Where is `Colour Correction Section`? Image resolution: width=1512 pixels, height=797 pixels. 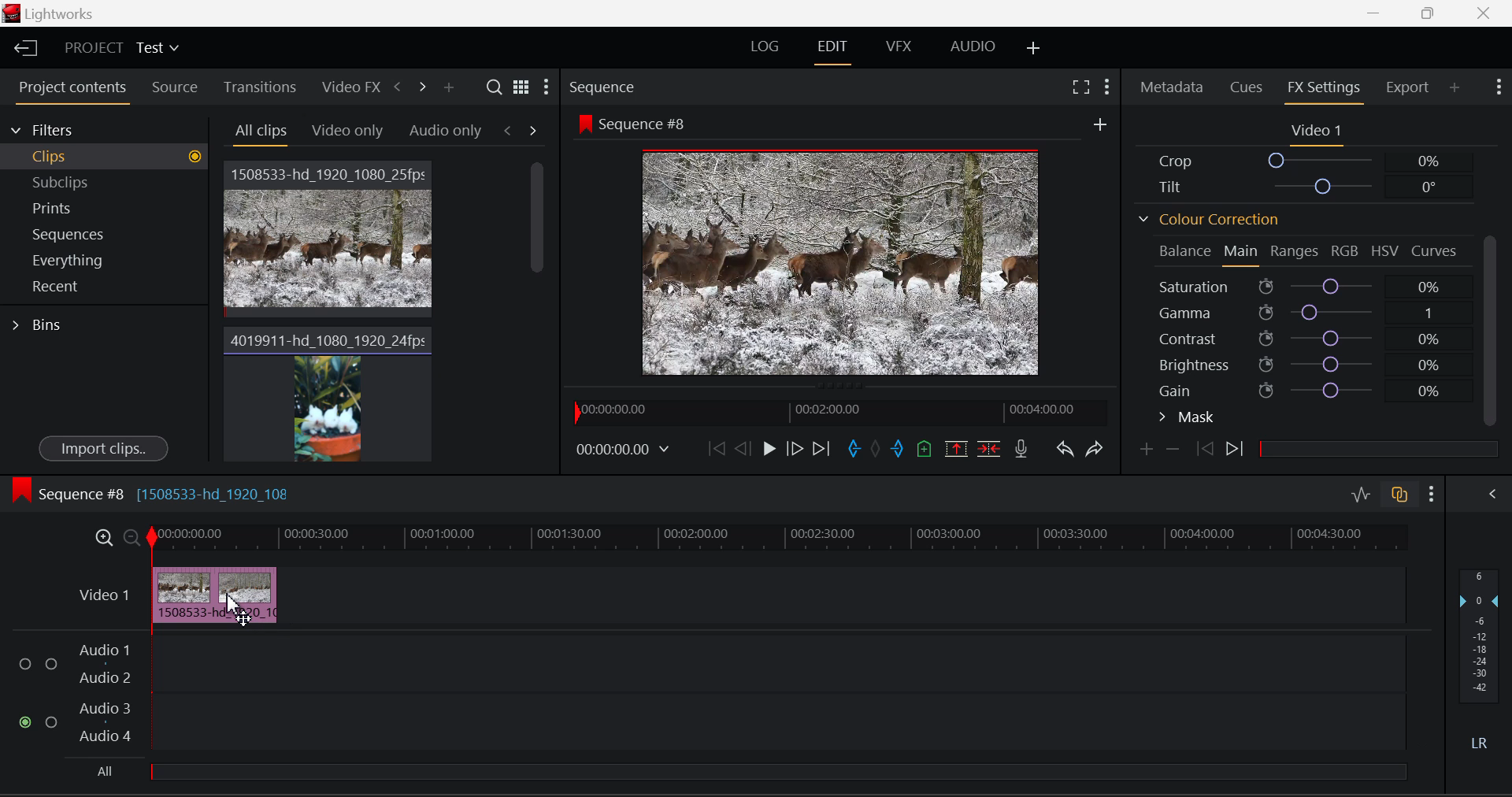
Colour Correction Section is located at coordinates (1237, 219).